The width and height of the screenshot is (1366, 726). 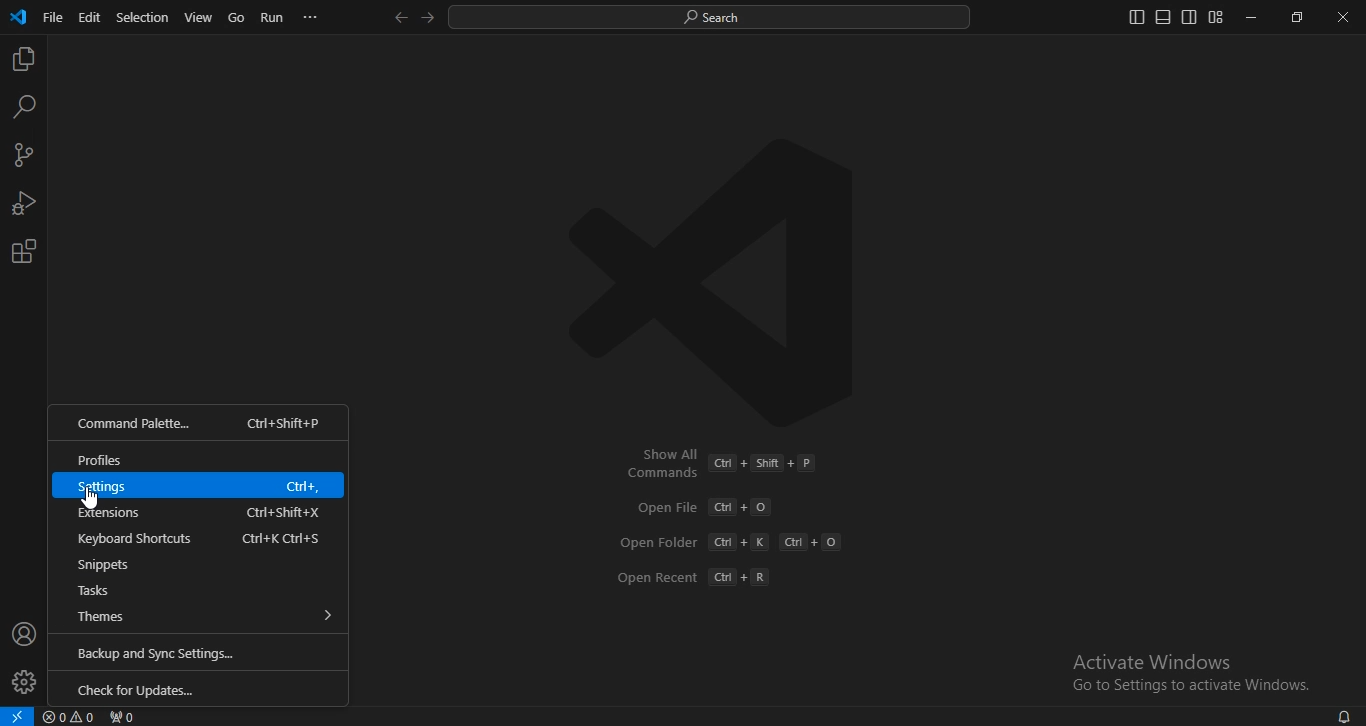 I want to click on keyboard shortcuts, so click(x=198, y=537).